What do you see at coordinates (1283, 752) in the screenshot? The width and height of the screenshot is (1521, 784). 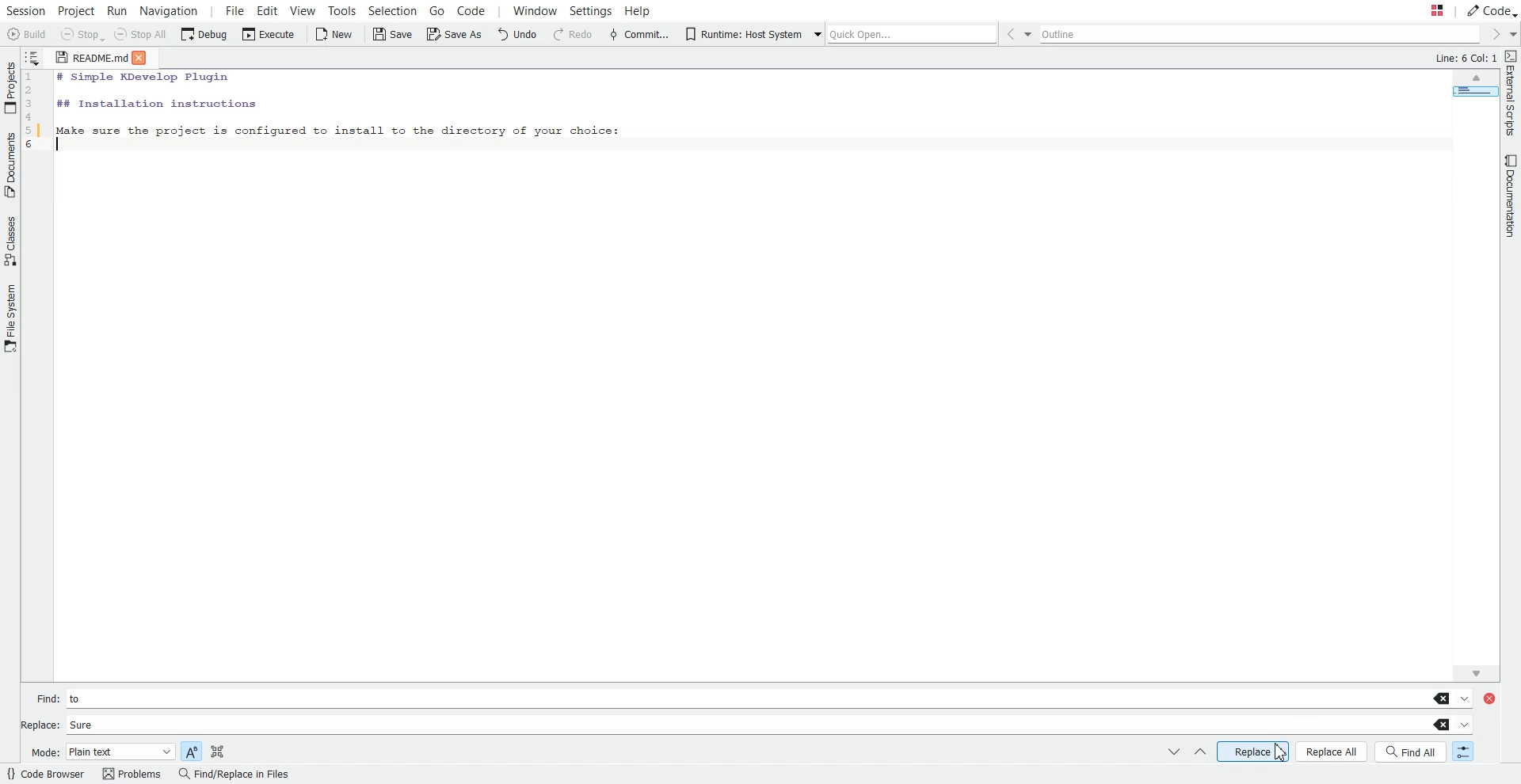 I see `Pointer` at bounding box center [1283, 752].